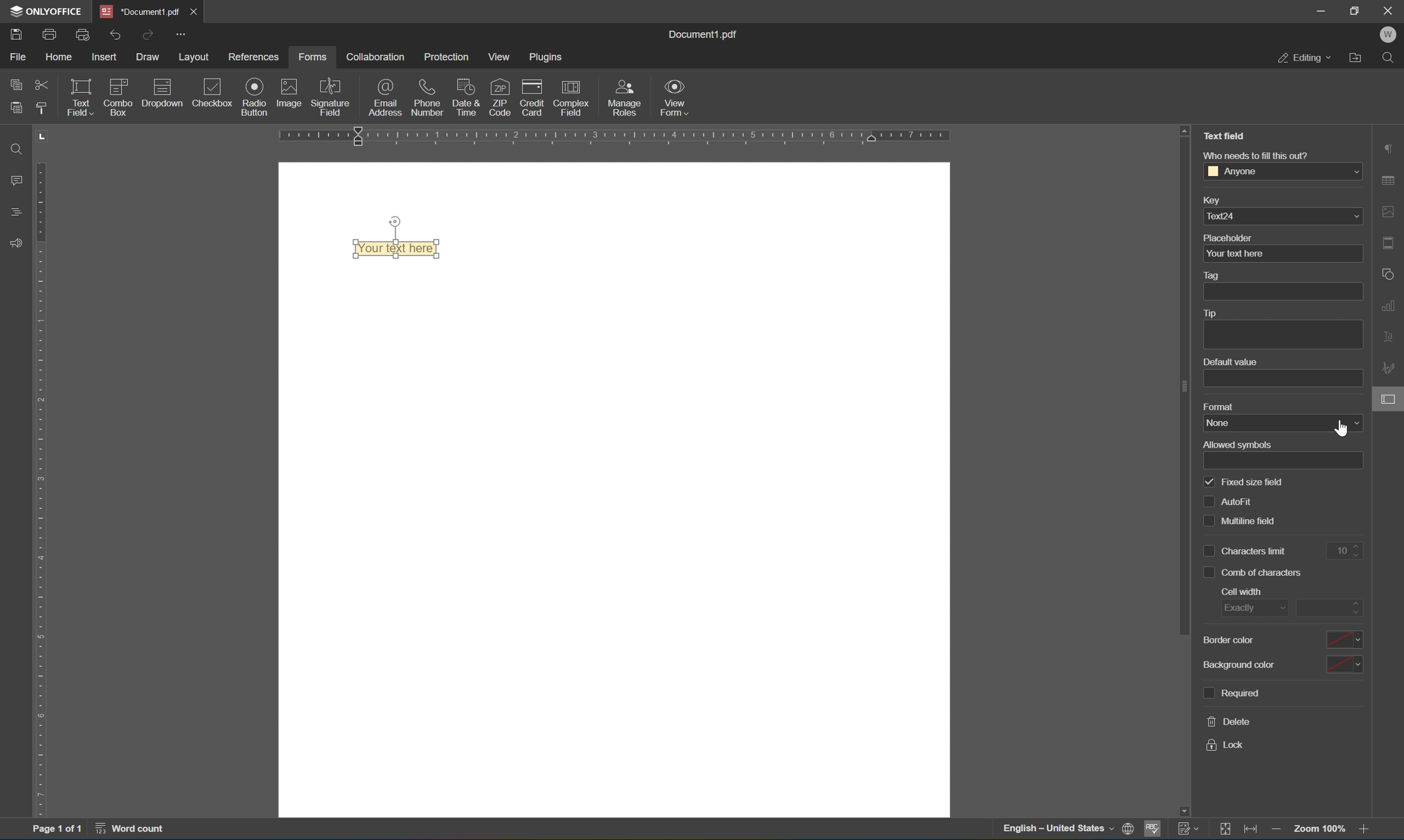 This screenshot has height=840, width=1404. What do you see at coordinates (1230, 721) in the screenshot?
I see `delete` at bounding box center [1230, 721].